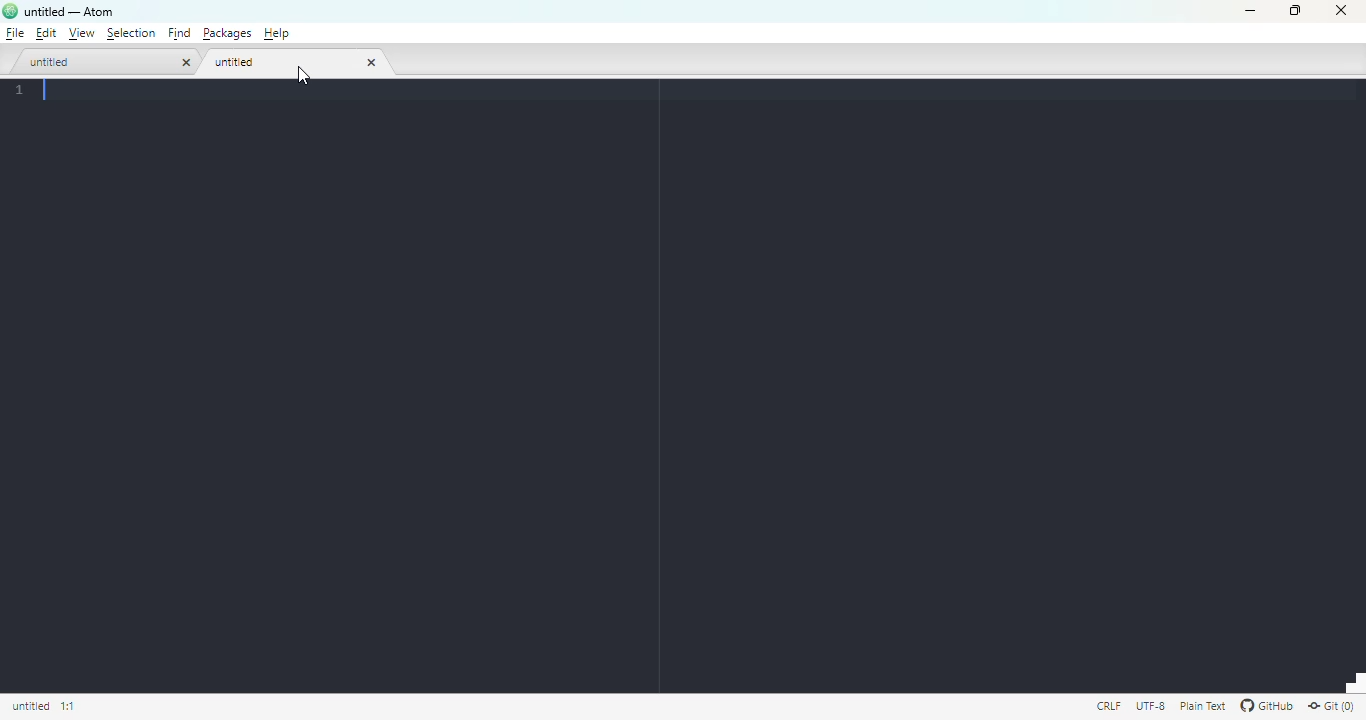 The image size is (1366, 720). What do you see at coordinates (181, 34) in the screenshot?
I see `find` at bounding box center [181, 34].